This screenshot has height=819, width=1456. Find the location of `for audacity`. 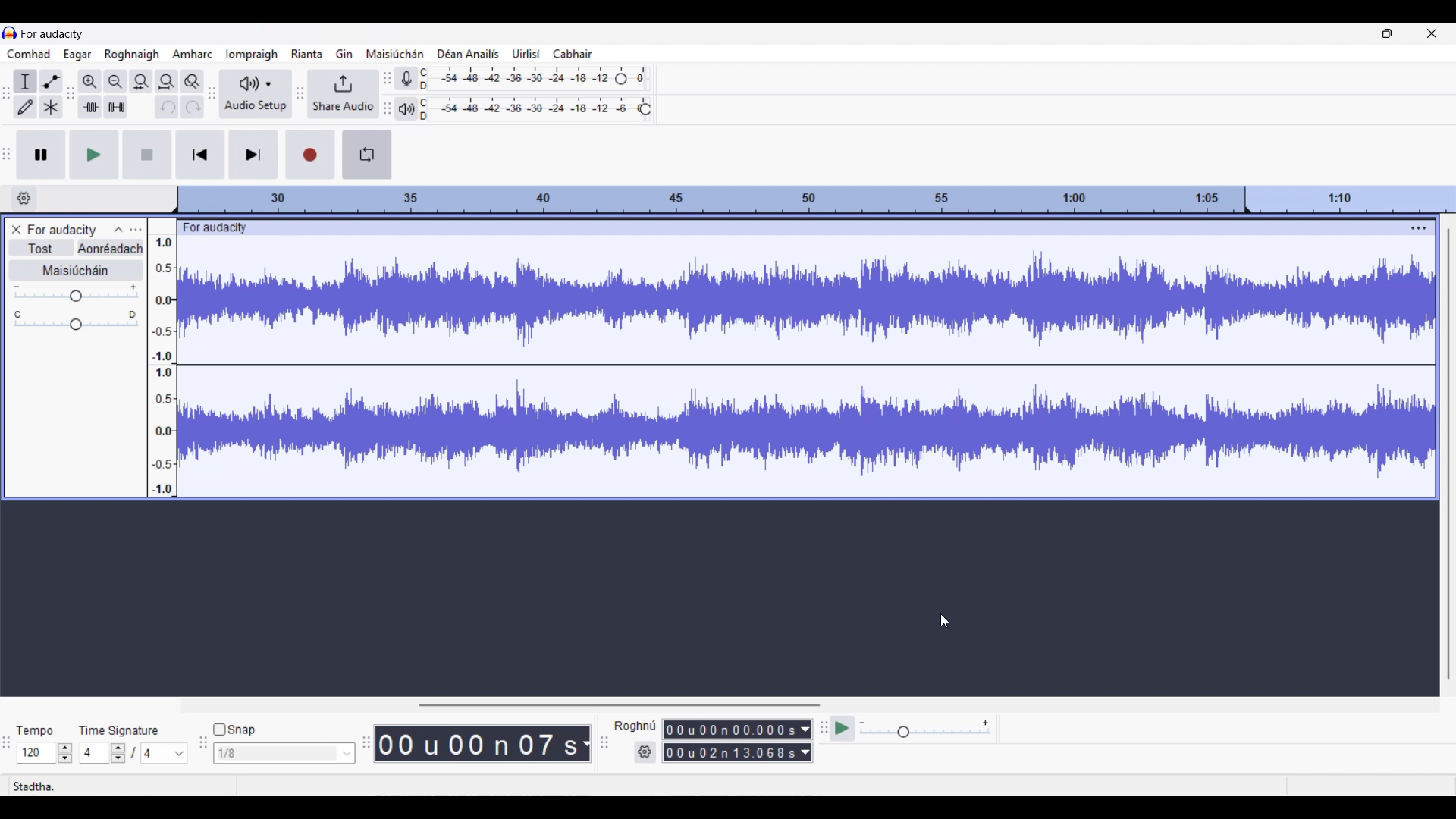

for audacity is located at coordinates (227, 227).